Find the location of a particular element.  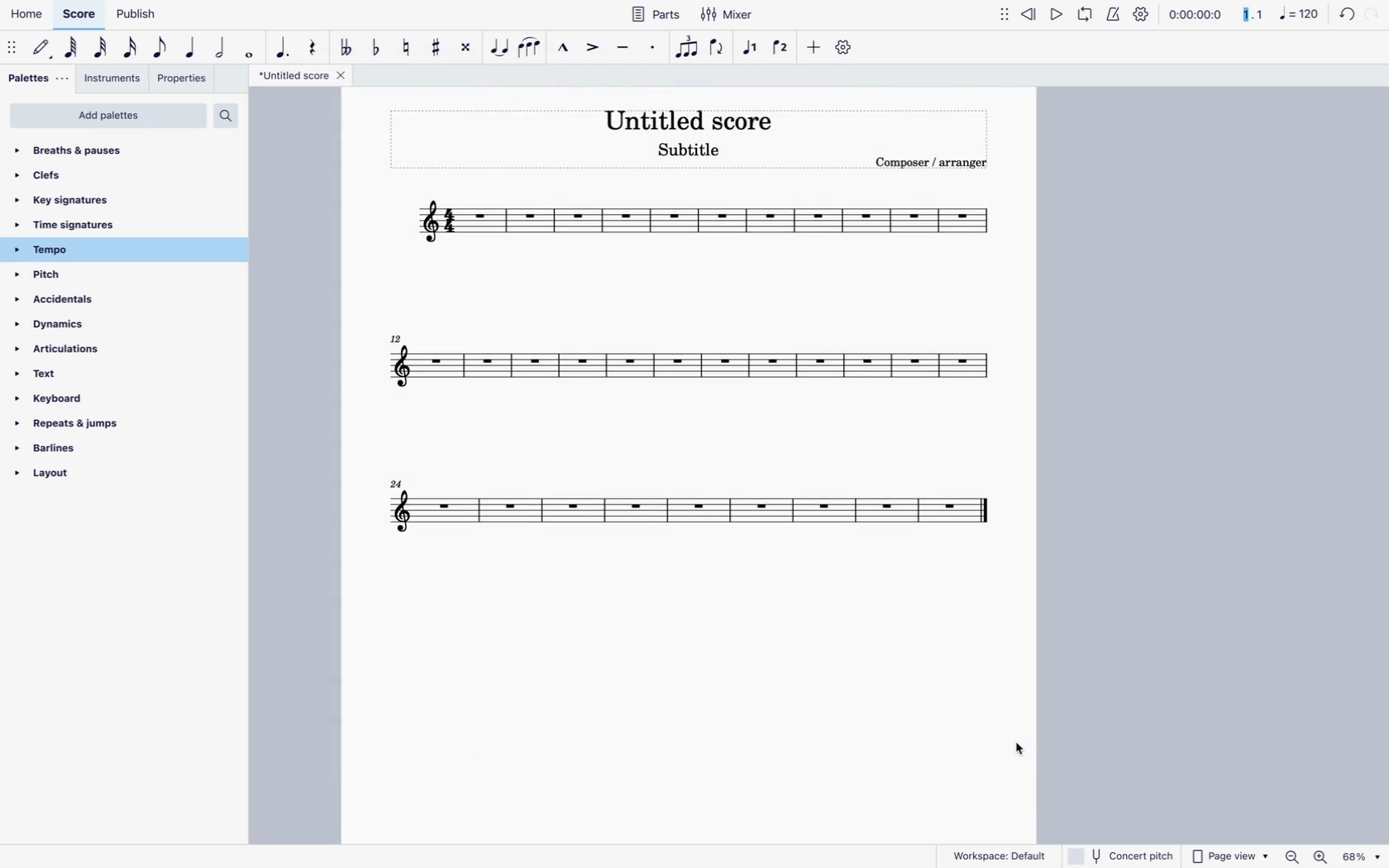

tempo is located at coordinates (93, 250).